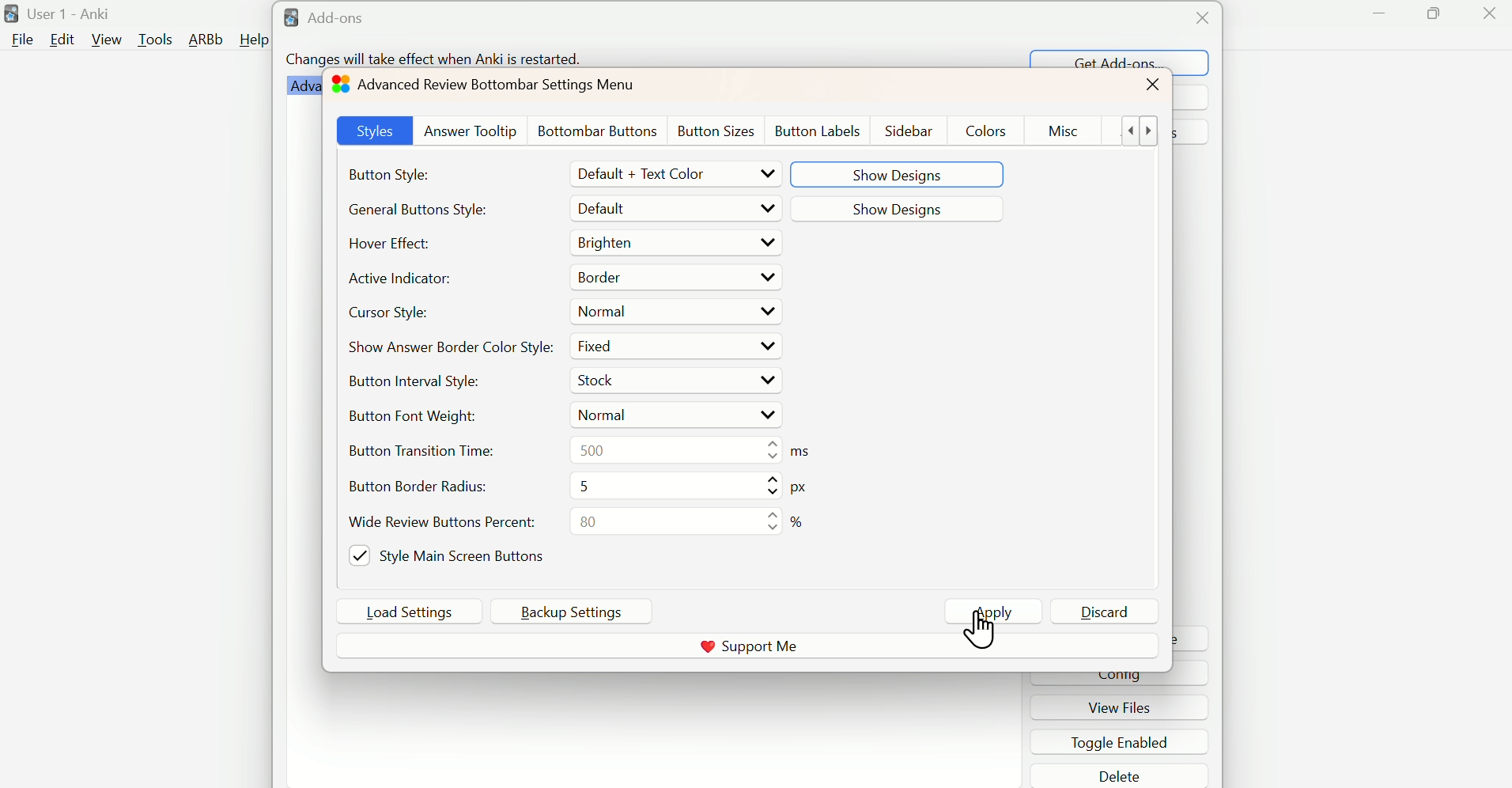  Describe the element at coordinates (606, 278) in the screenshot. I see `Border` at that location.